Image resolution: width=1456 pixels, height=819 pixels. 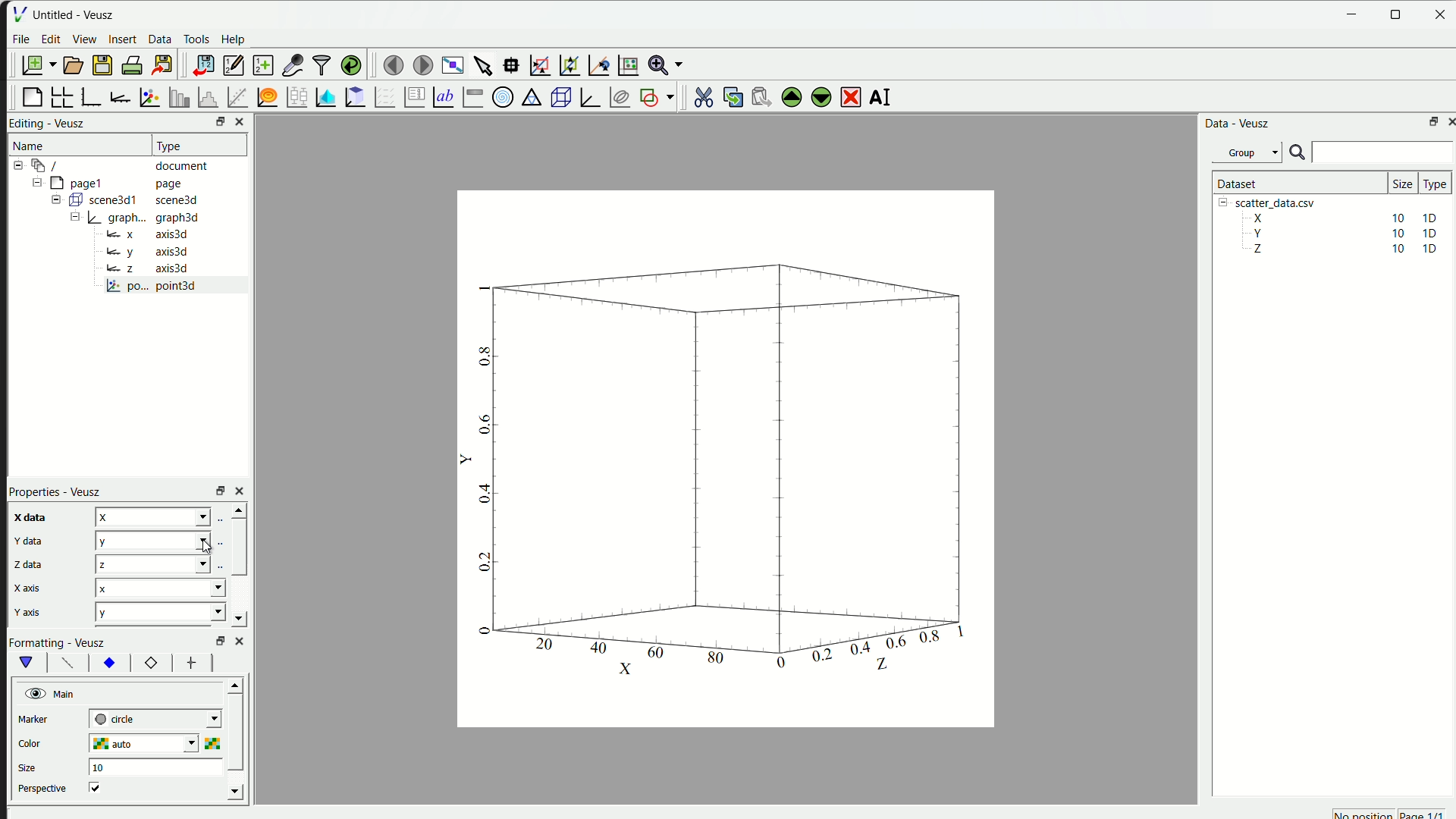 I want to click on File, so click(x=22, y=40).